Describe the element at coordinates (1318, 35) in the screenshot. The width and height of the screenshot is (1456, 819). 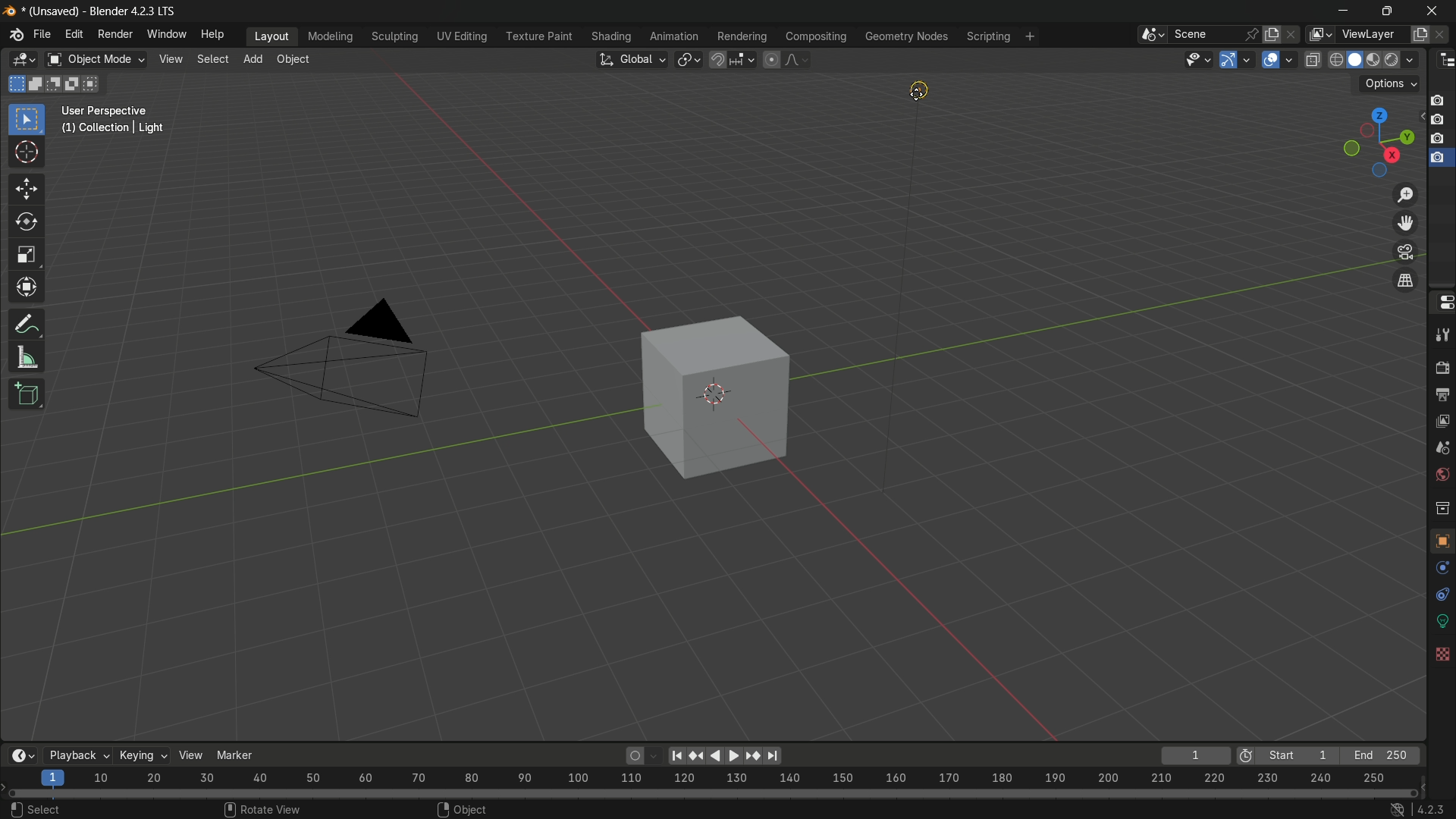
I see `active viewlayer` at that location.